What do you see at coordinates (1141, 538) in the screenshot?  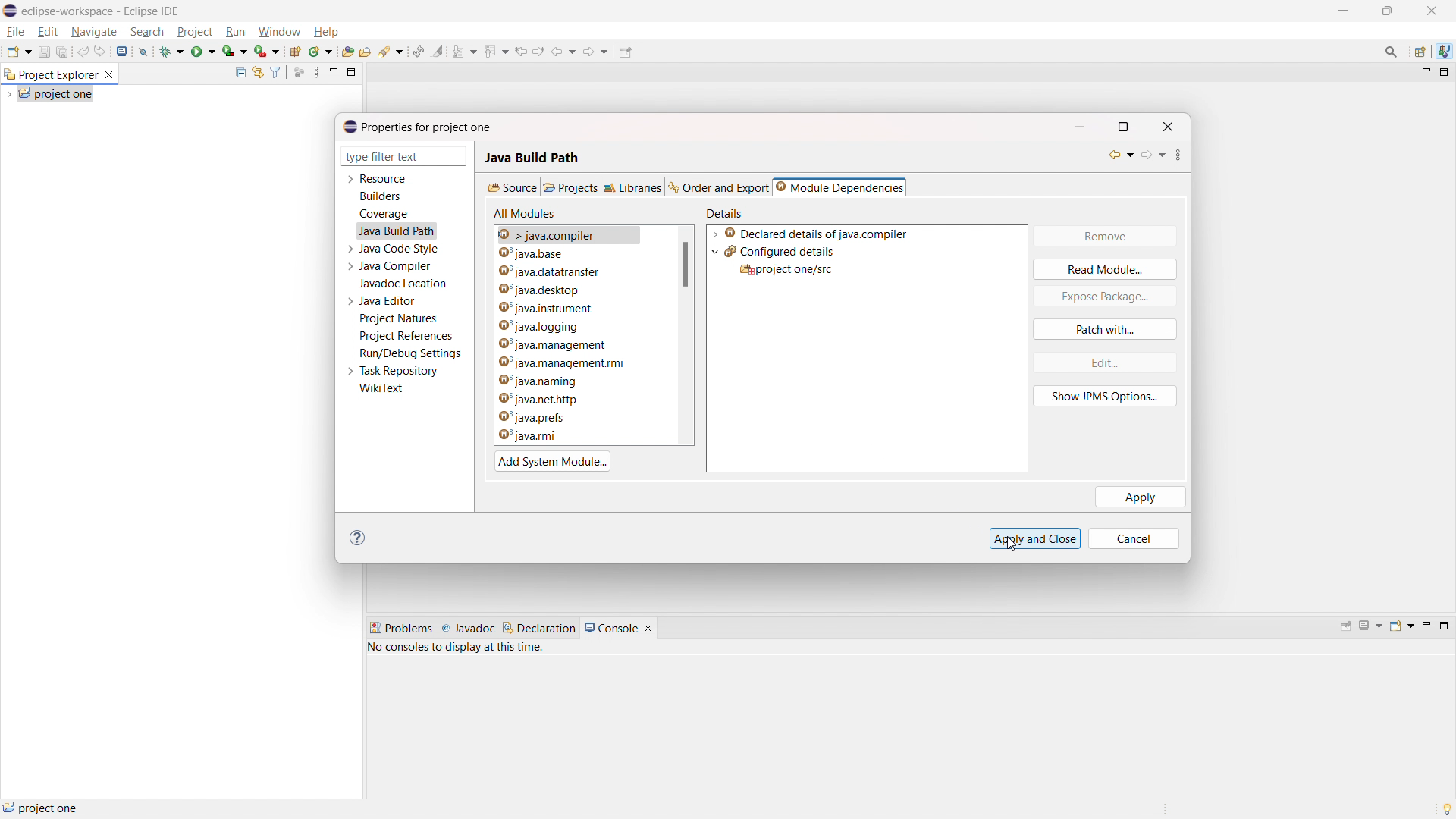 I see `cancel` at bounding box center [1141, 538].